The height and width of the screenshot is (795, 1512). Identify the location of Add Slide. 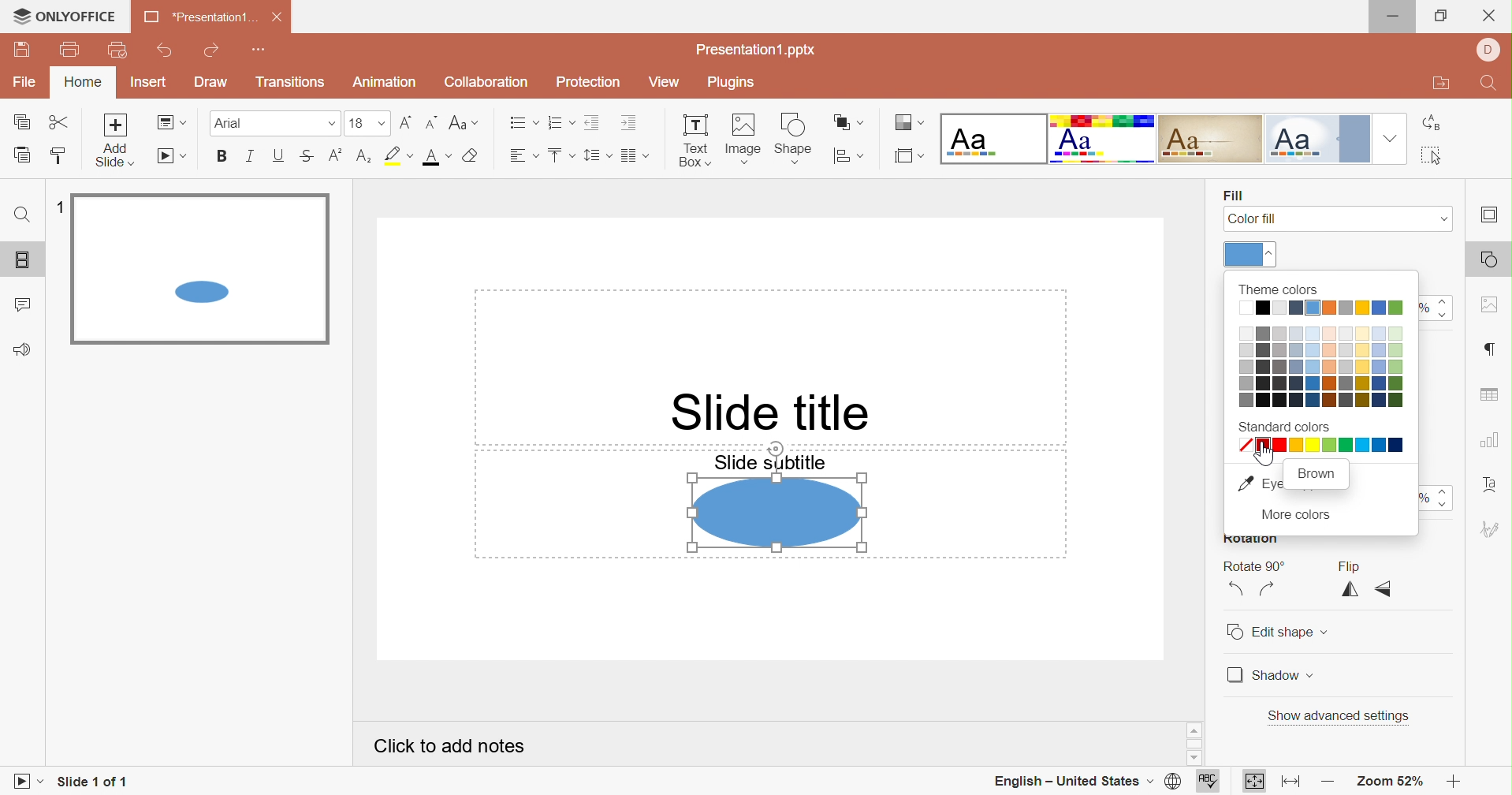
(118, 139).